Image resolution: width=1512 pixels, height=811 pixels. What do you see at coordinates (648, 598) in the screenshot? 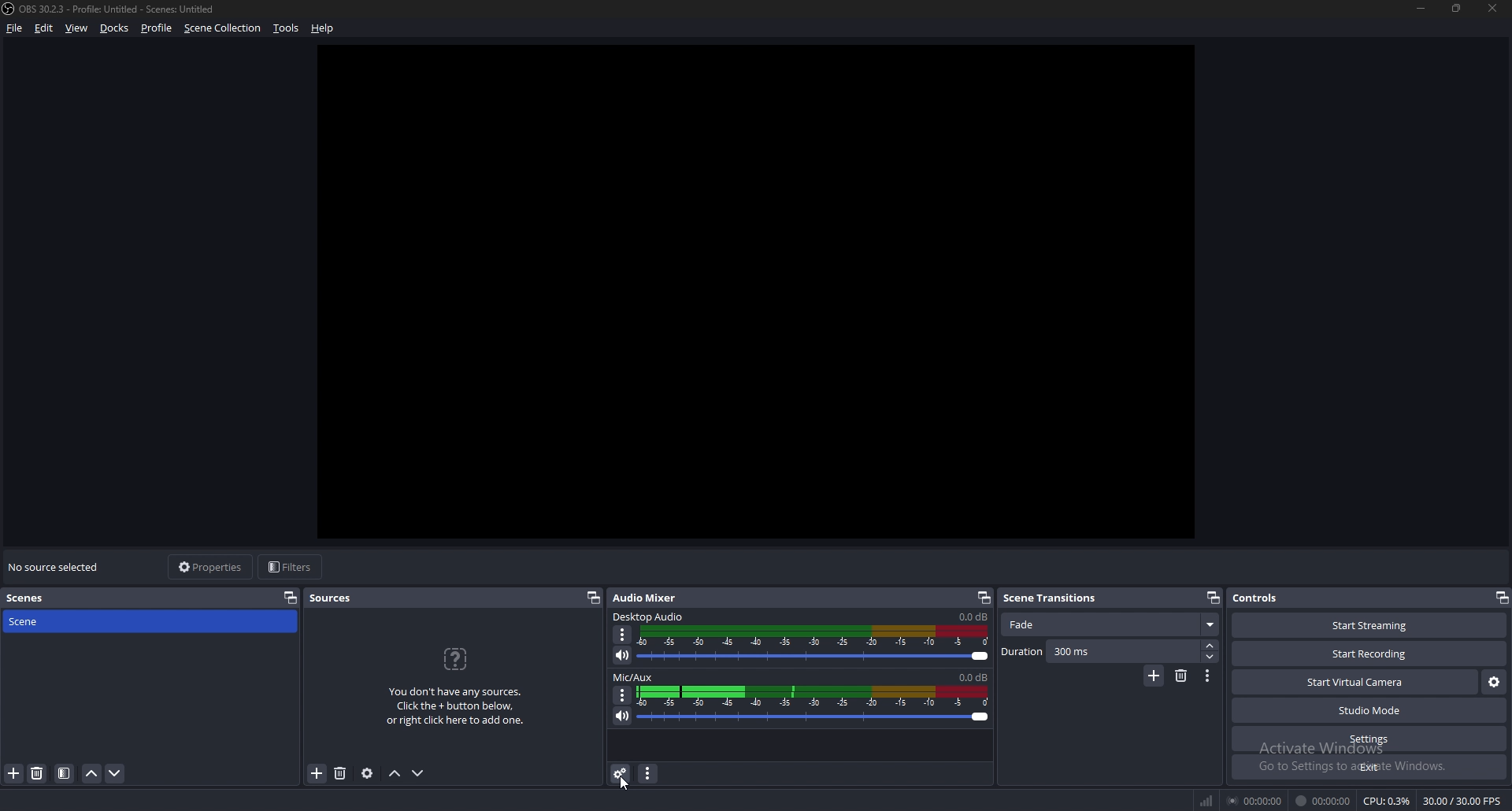
I see `audio mixer` at bounding box center [648, 598].